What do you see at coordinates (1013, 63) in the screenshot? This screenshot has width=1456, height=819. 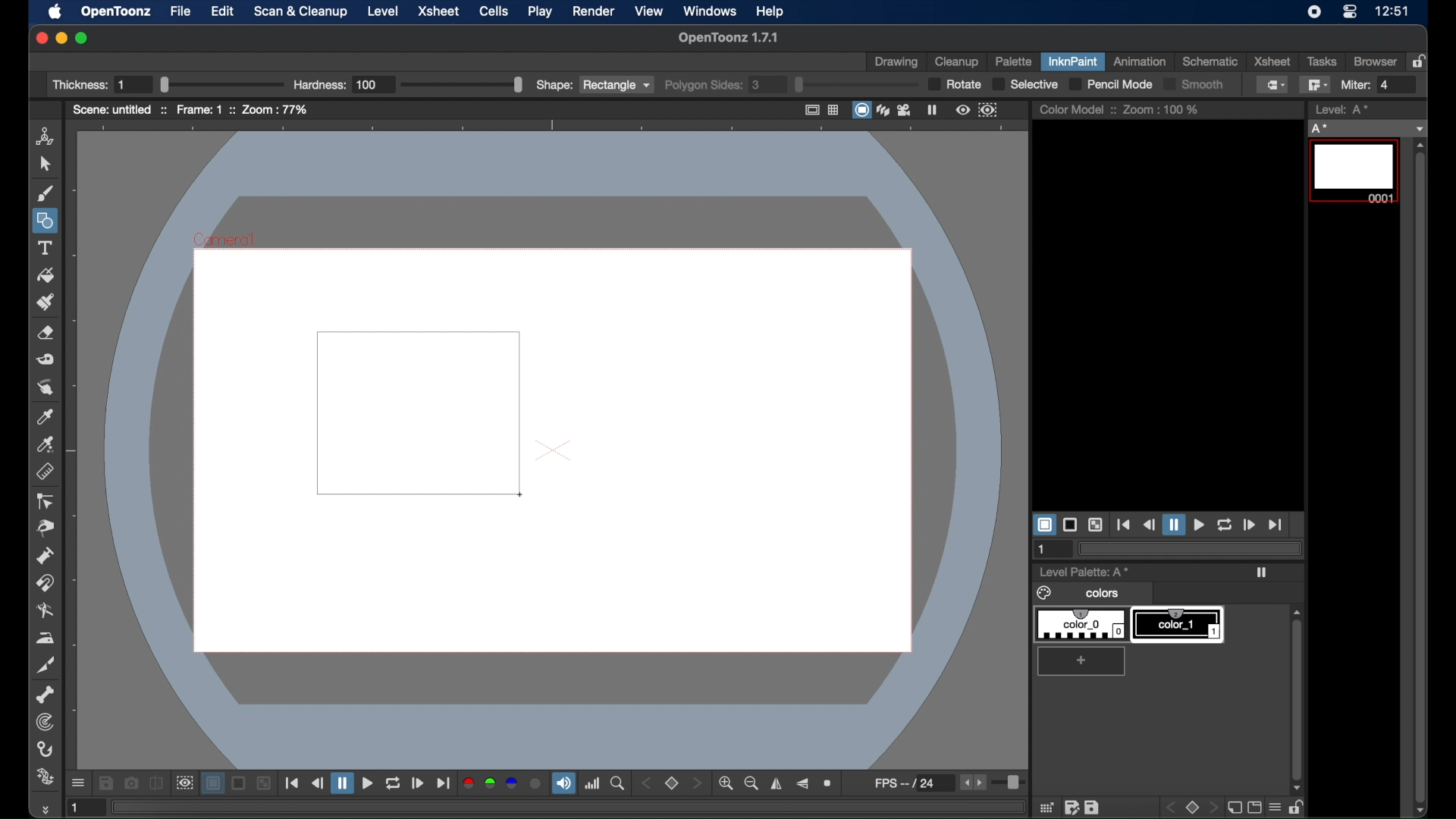 I see `palette` at bounding box center [1013, 63].